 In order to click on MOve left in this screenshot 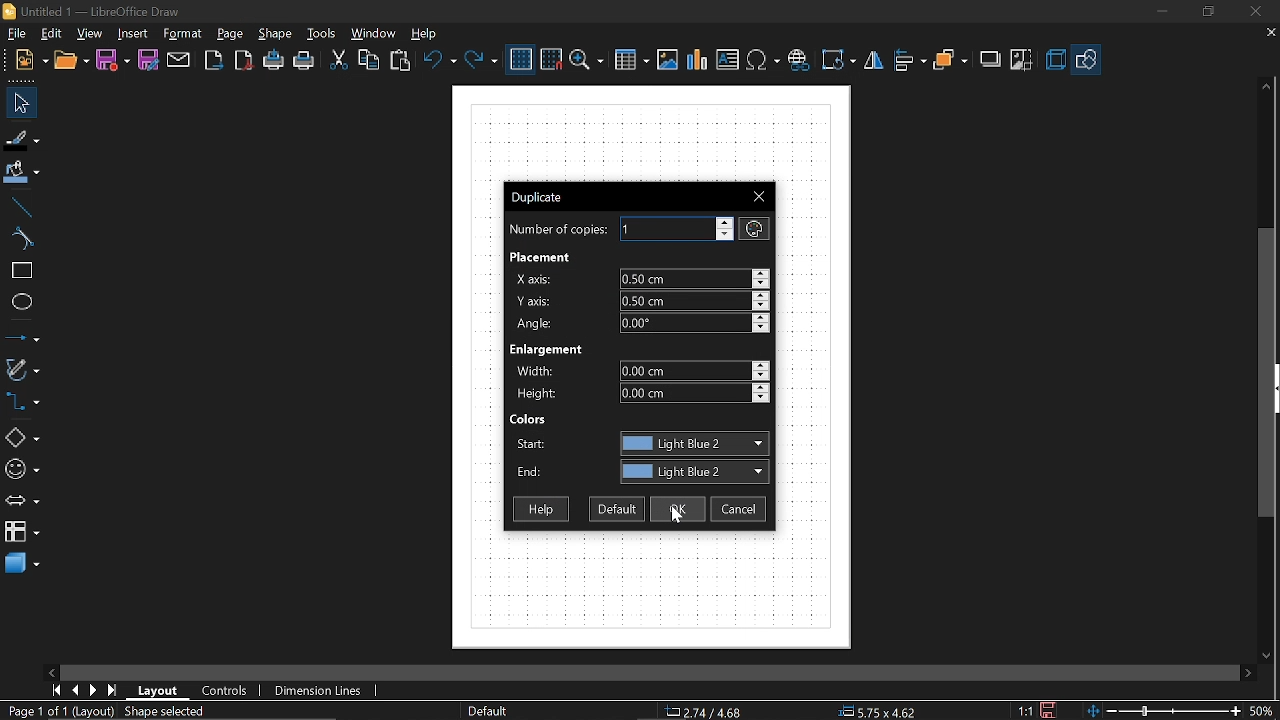, I will do `click(51, 671)`.